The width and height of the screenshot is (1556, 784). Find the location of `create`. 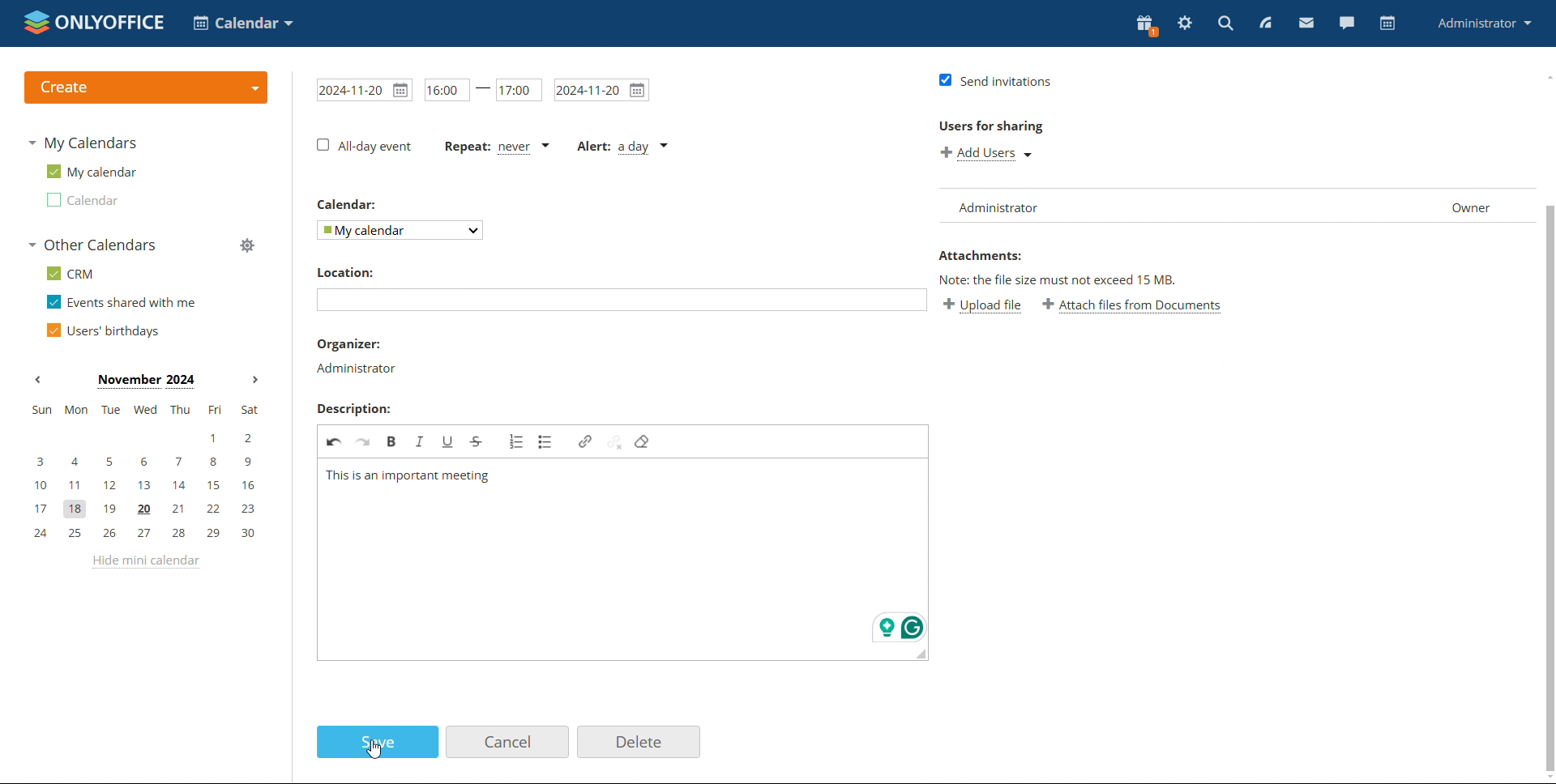

create is located at coordinates (147, 88).